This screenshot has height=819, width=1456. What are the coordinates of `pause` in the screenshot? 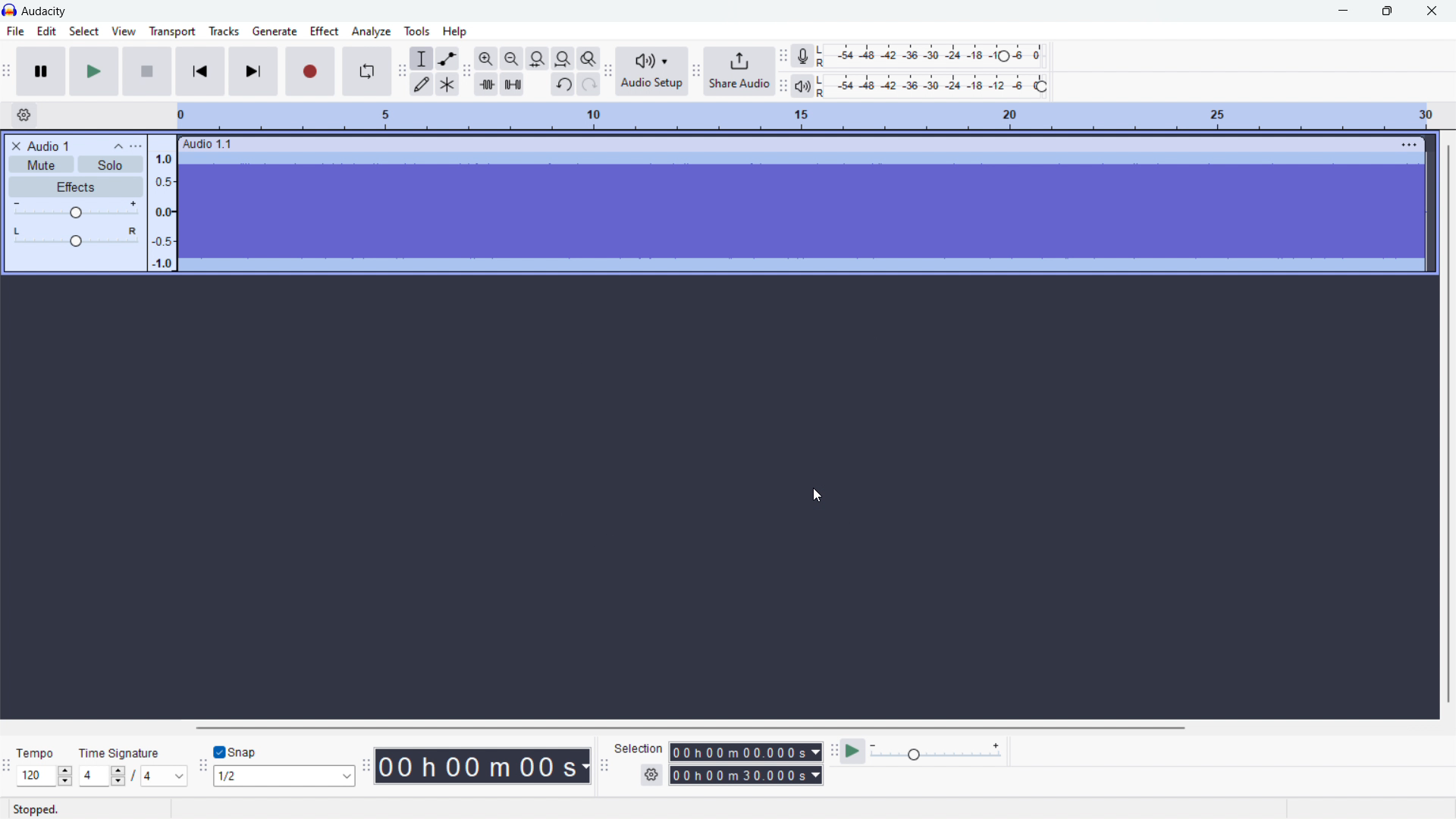 It's located at (40, 71).